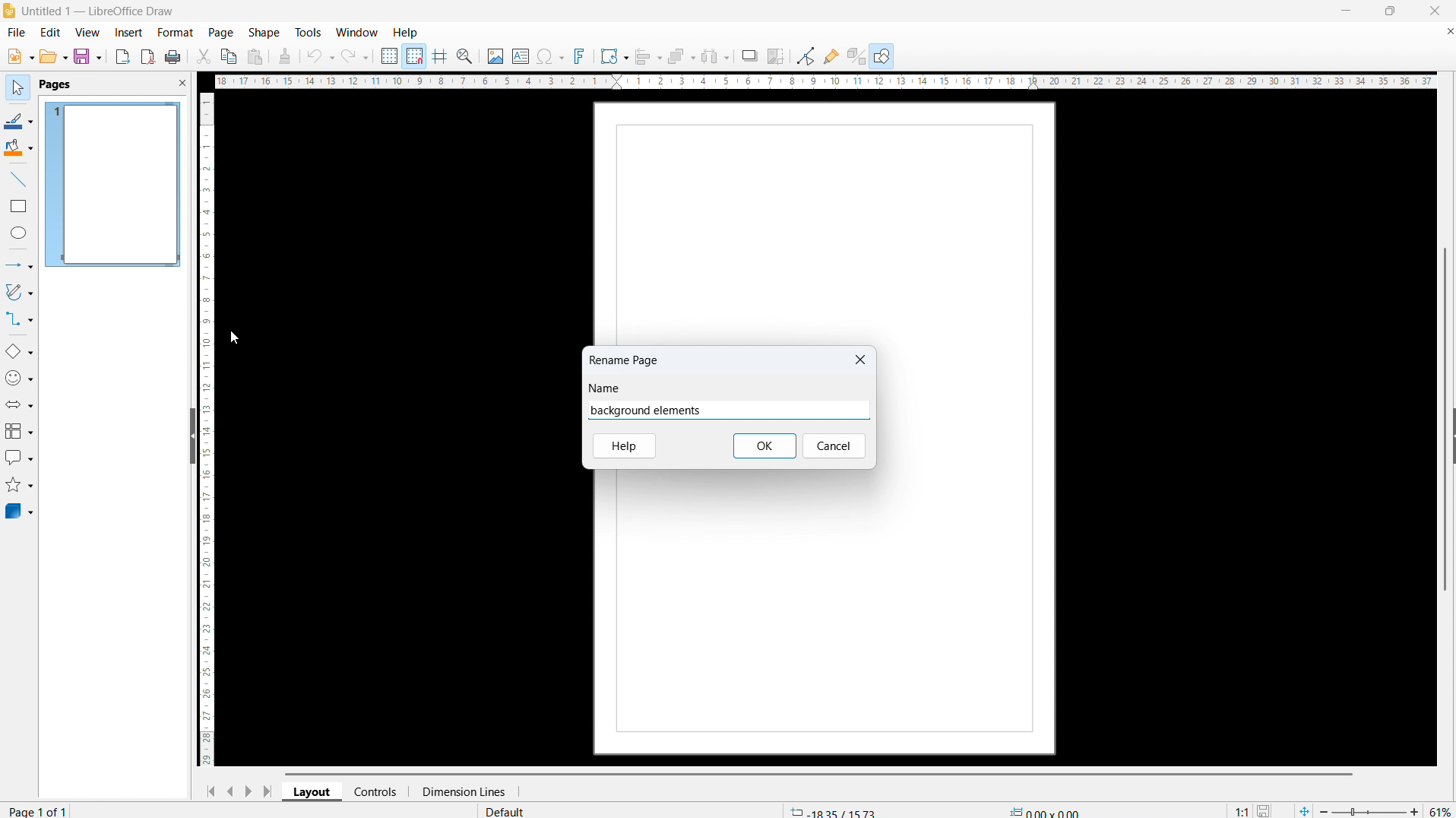  What do you see at coordinates (148, 56) in the screenshot?
I see `export as pdf` at bounding box center [148, 56].